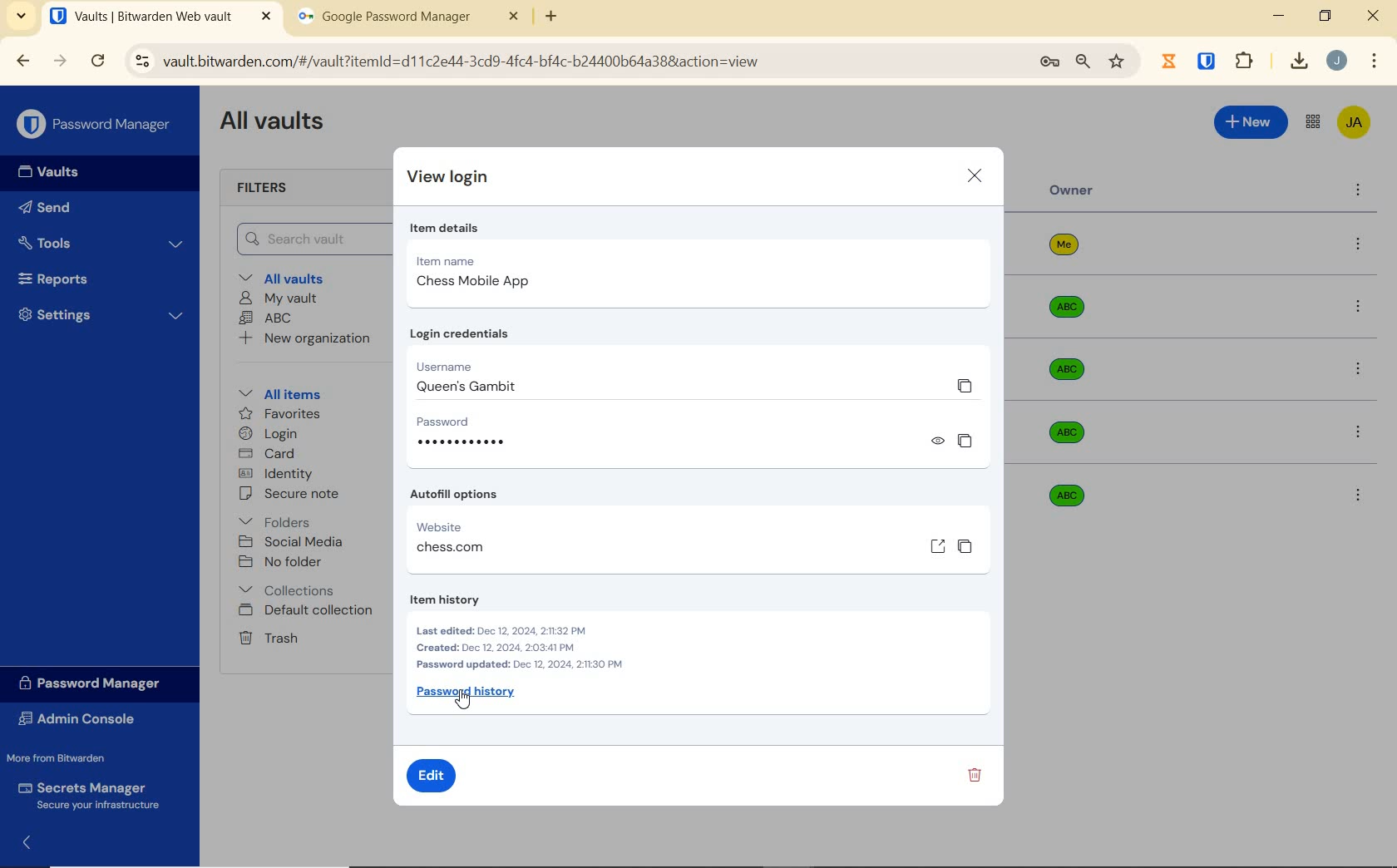 The image size is (1397, 868). Describe the element at coordinates (1358, 494) in the screenshot. I see `more options` at that location.